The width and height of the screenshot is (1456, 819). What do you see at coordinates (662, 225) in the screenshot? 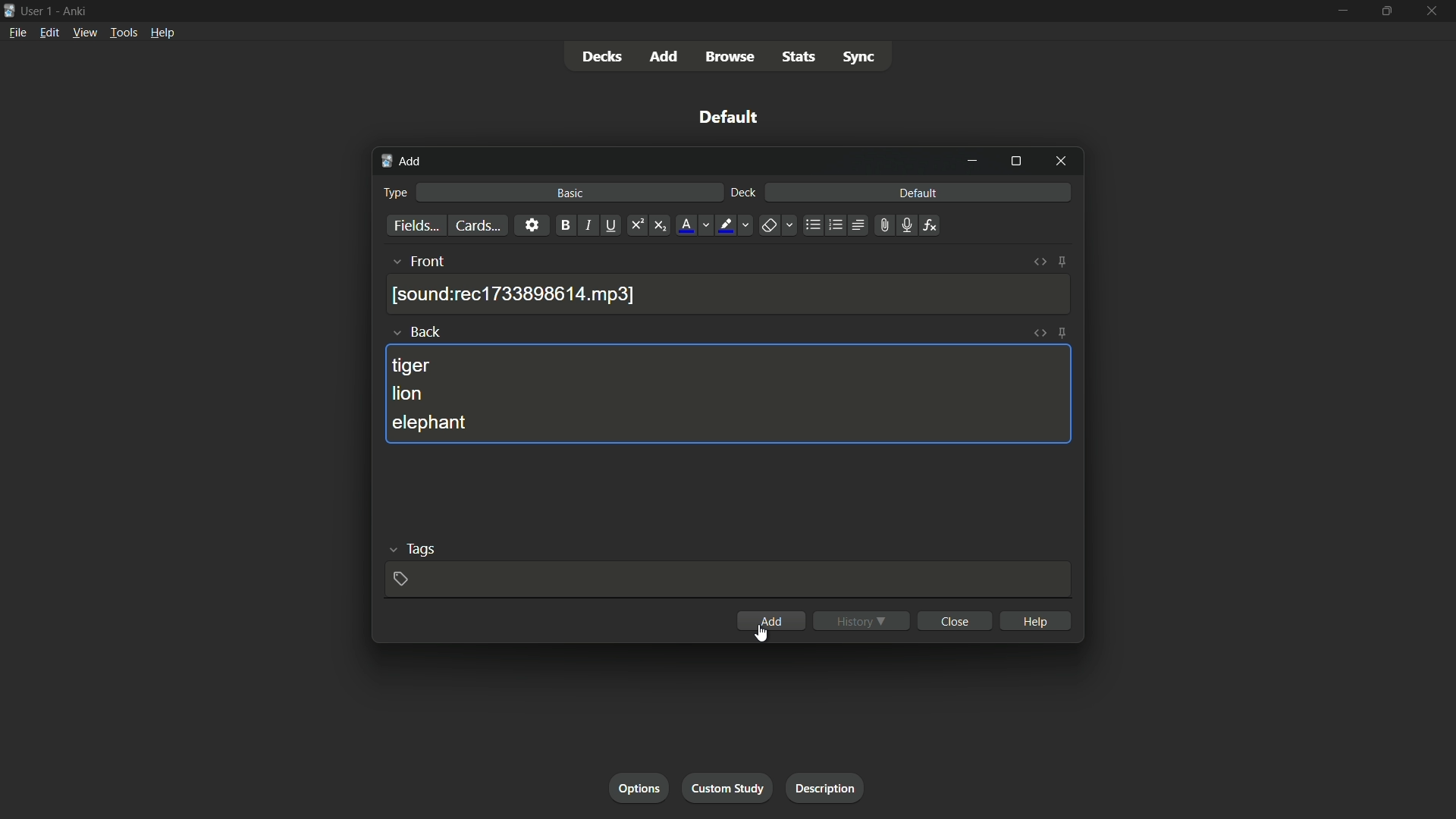
I see `subscript` at bounding box center [662, 225].